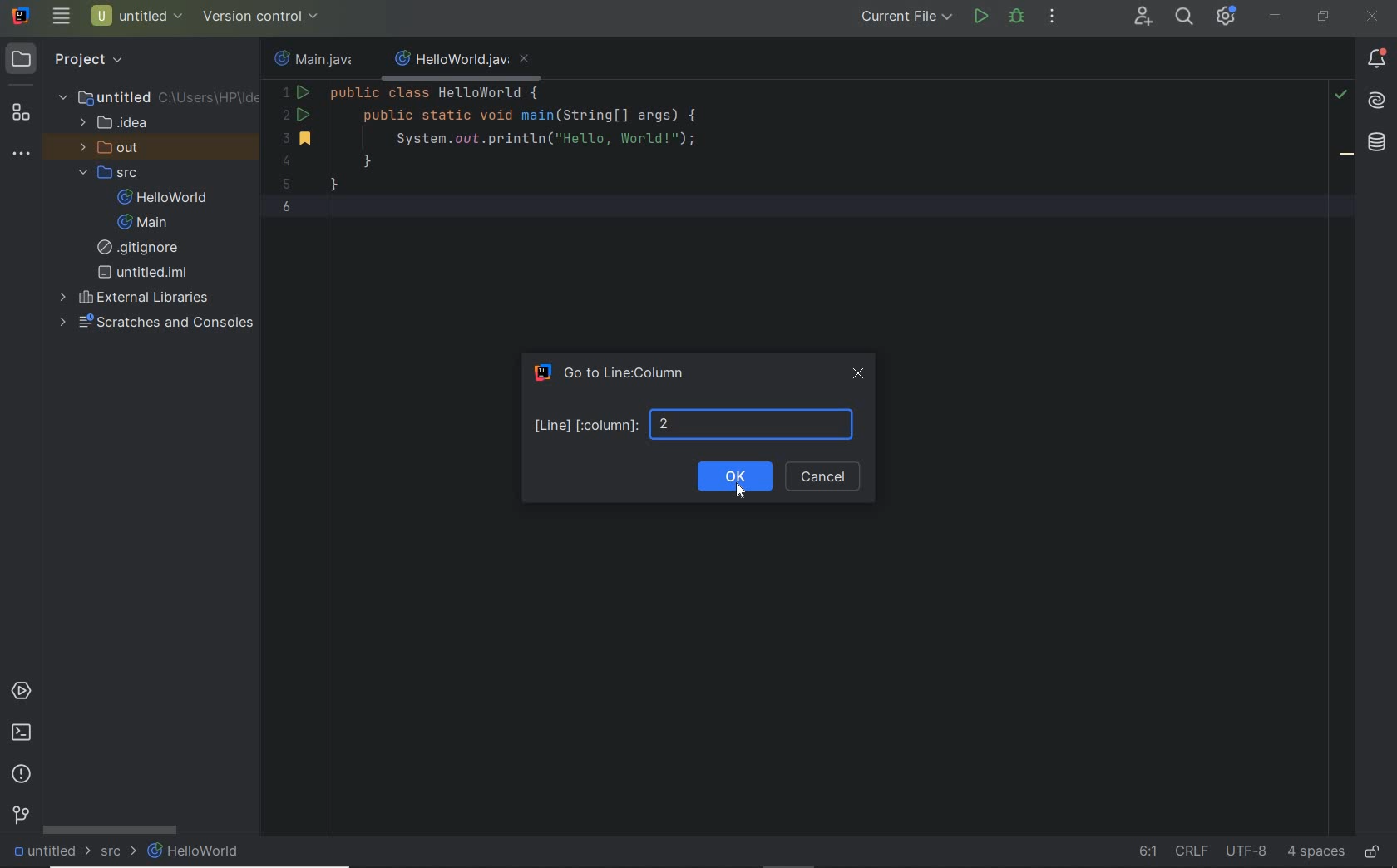 The image size is (1397, 868). I want to click on scrollbar, so click(111, 830).